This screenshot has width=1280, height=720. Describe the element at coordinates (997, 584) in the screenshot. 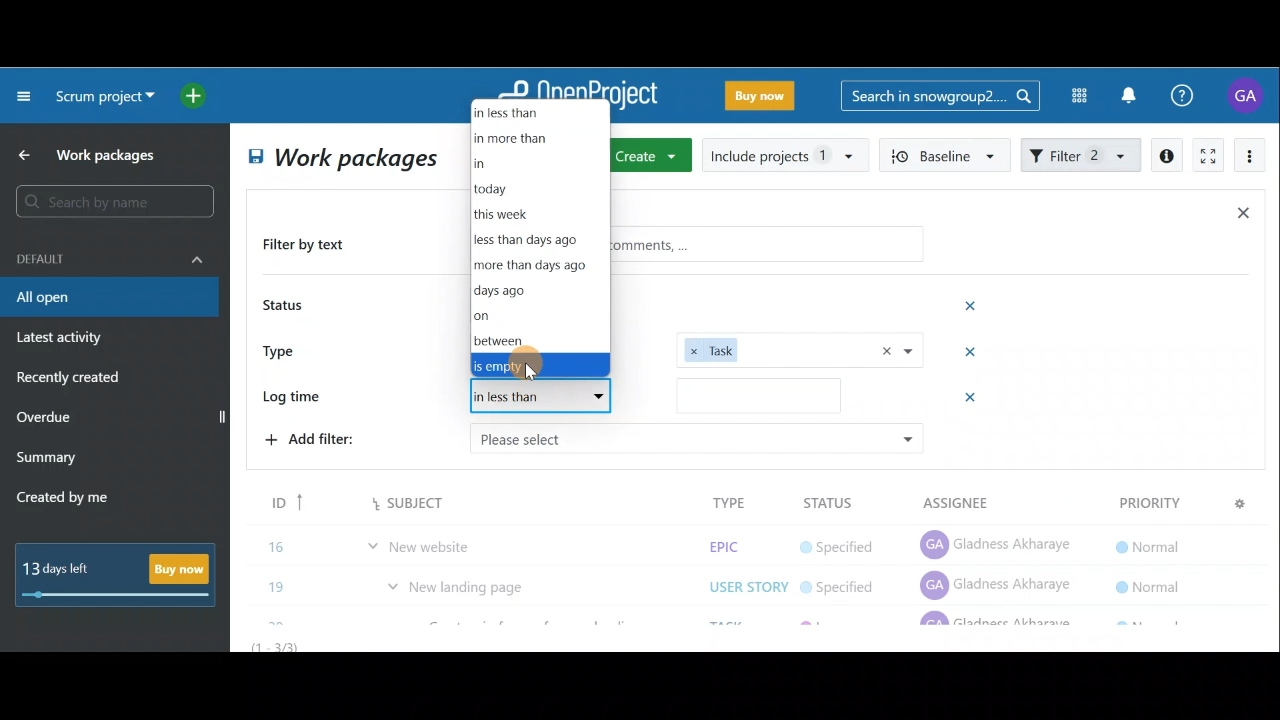

I see `(GA) Gladness Akharaye` at that location.